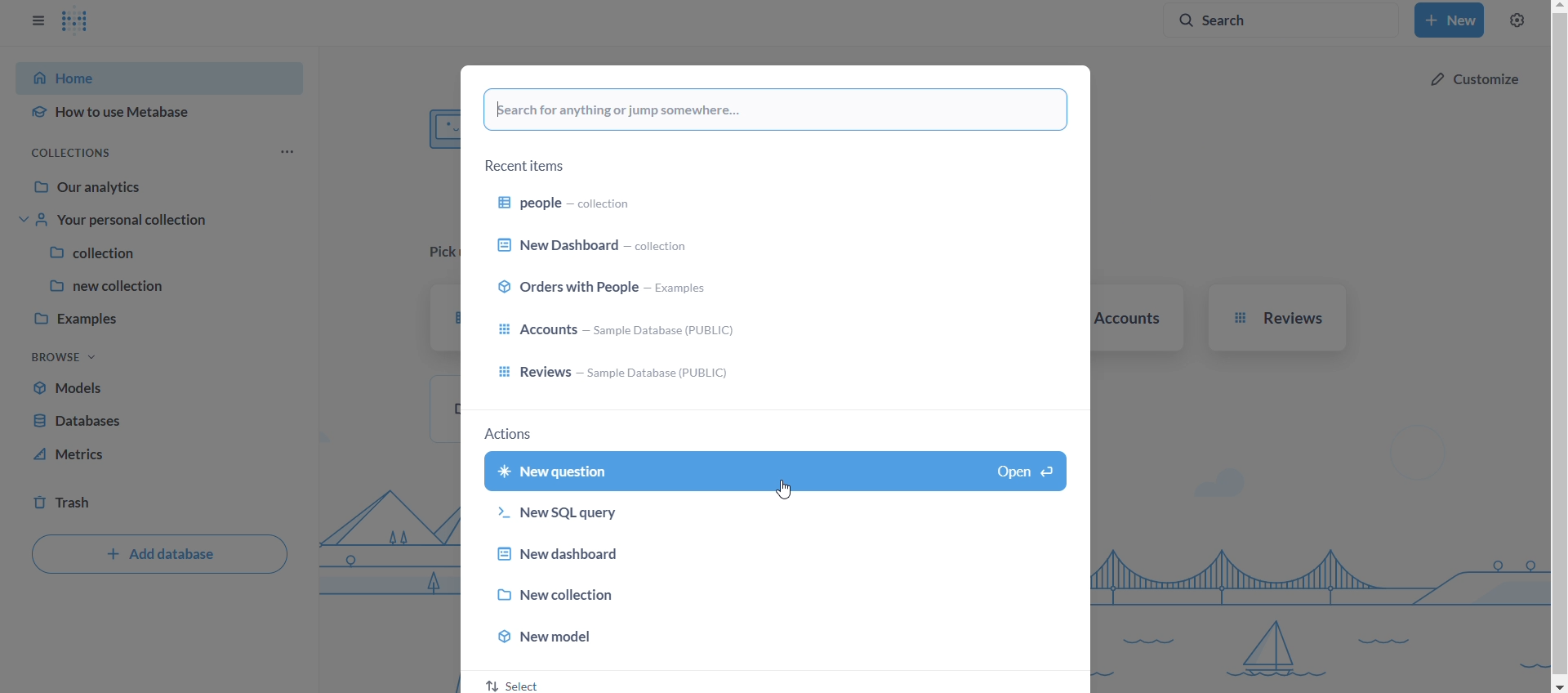 The height and width of the screenshot is (693, 1568). What do you see at coordinates (434, 250) in the screenshot?
I see `pick` at bounding box center [434, 250].